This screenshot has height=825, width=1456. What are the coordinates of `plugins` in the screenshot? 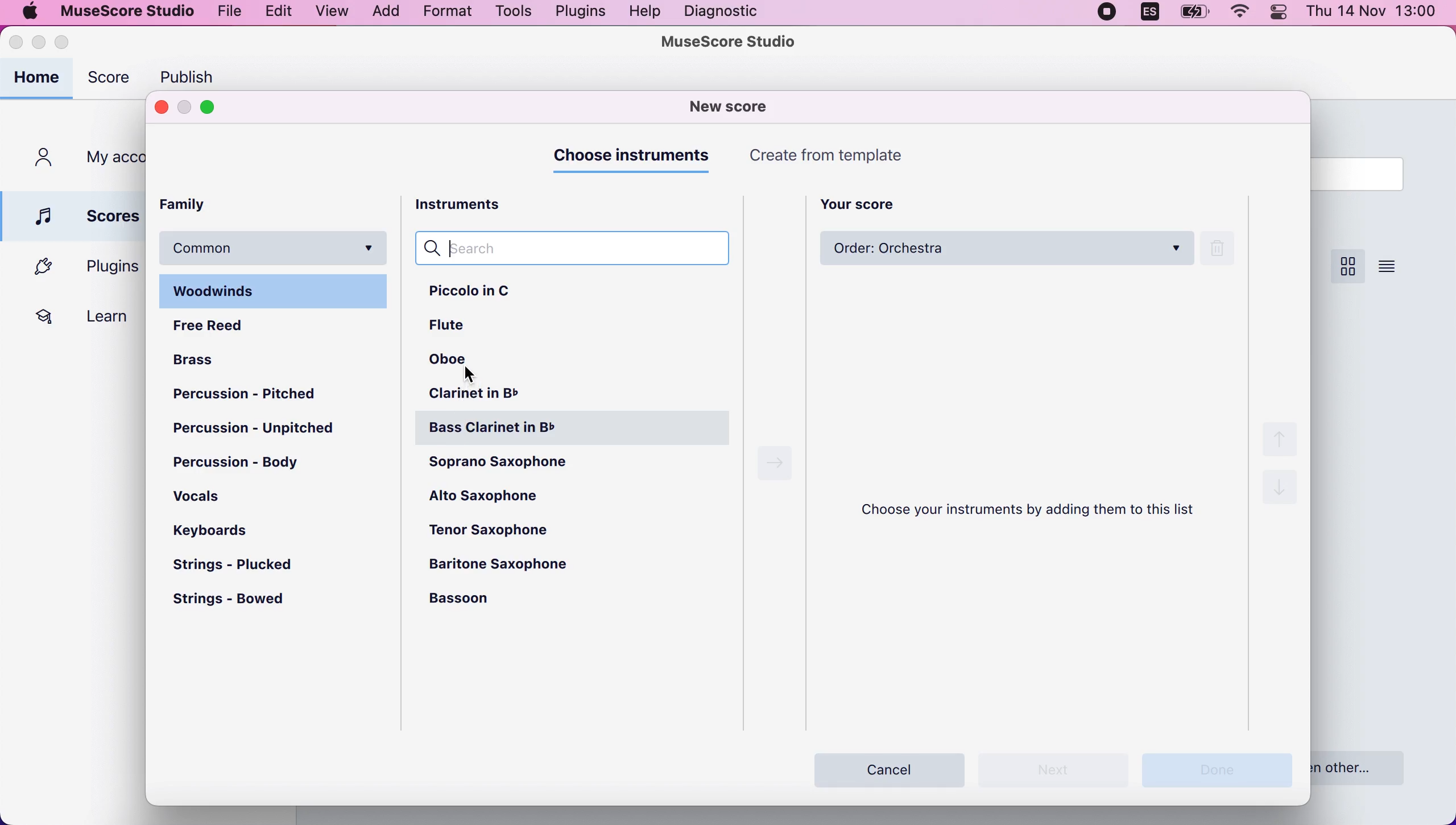 It's located at (78, 267).